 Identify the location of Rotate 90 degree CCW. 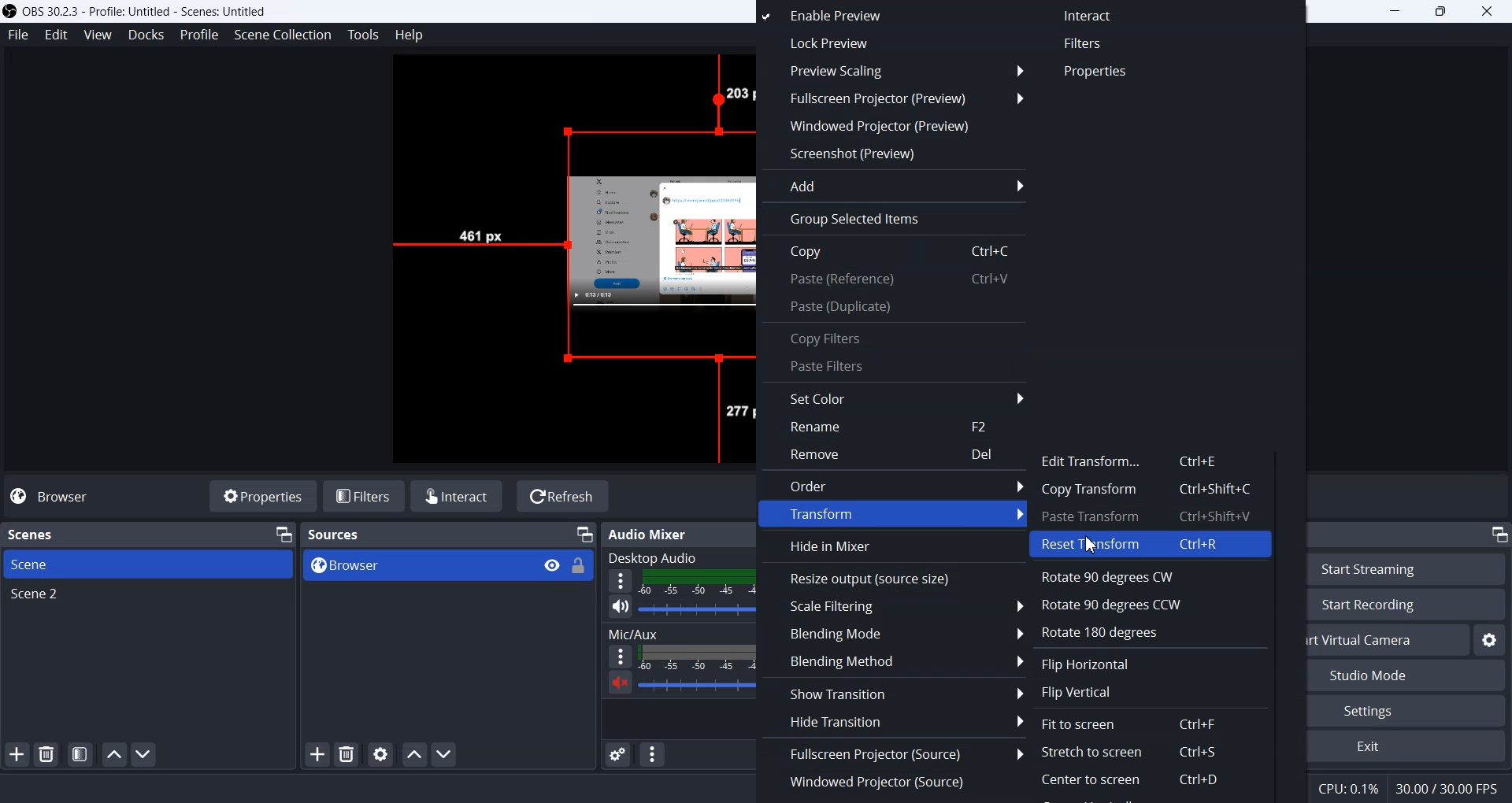
(1149, 605).